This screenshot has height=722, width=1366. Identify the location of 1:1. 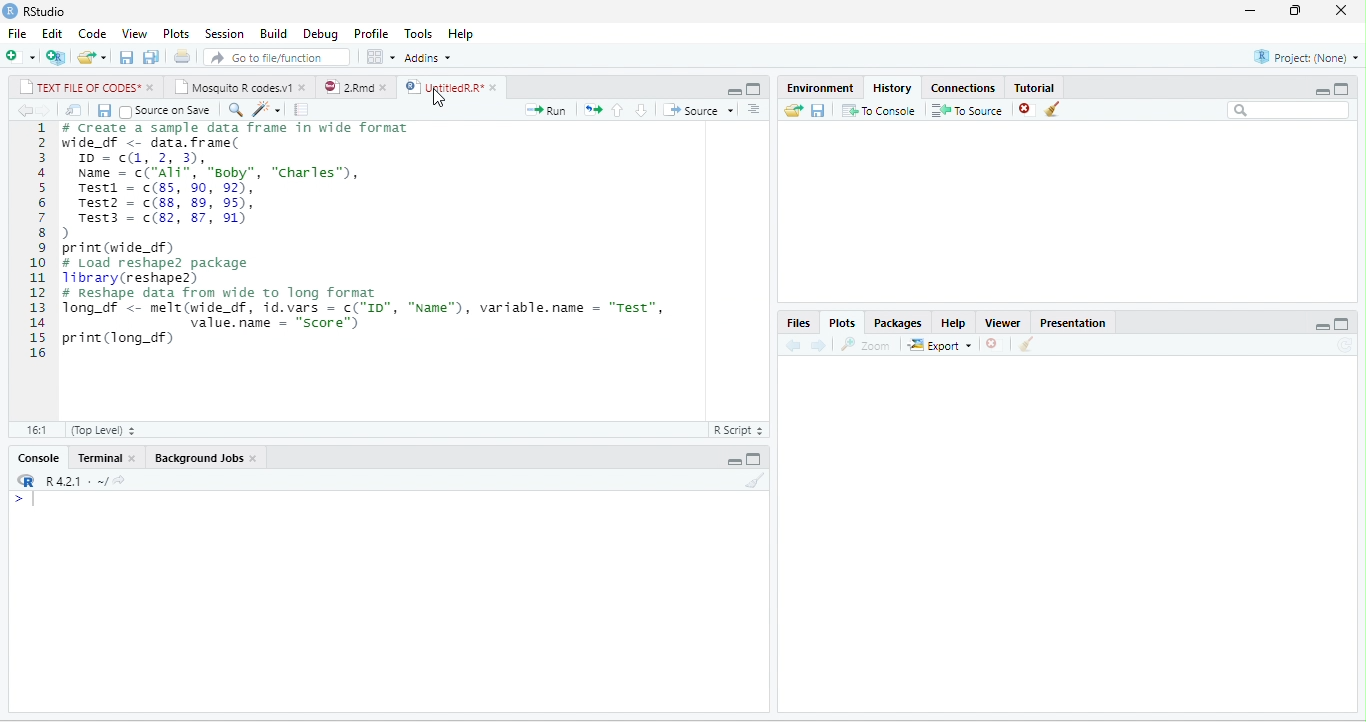
(35, 430).